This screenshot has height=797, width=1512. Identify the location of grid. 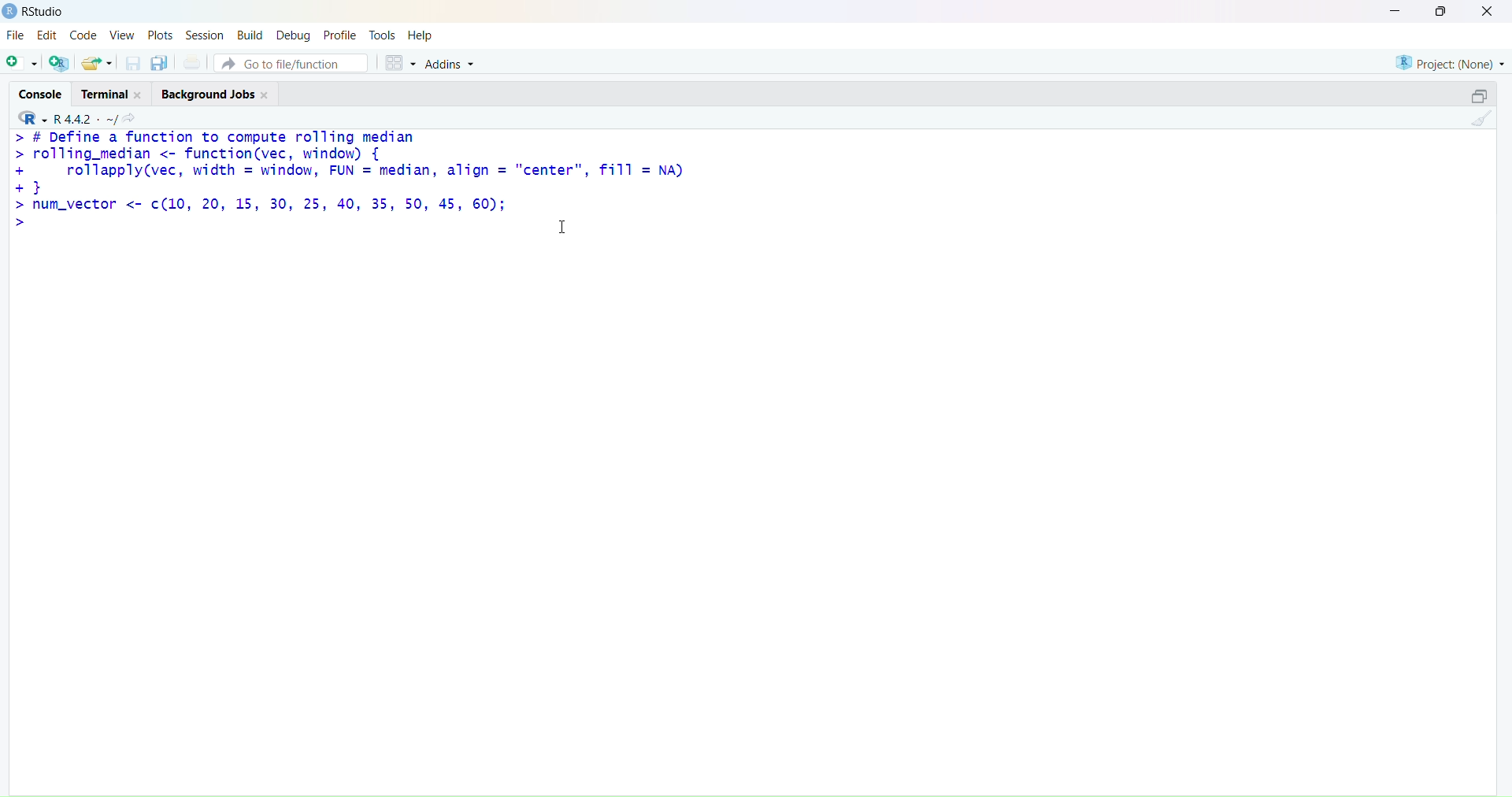
(402, 63).